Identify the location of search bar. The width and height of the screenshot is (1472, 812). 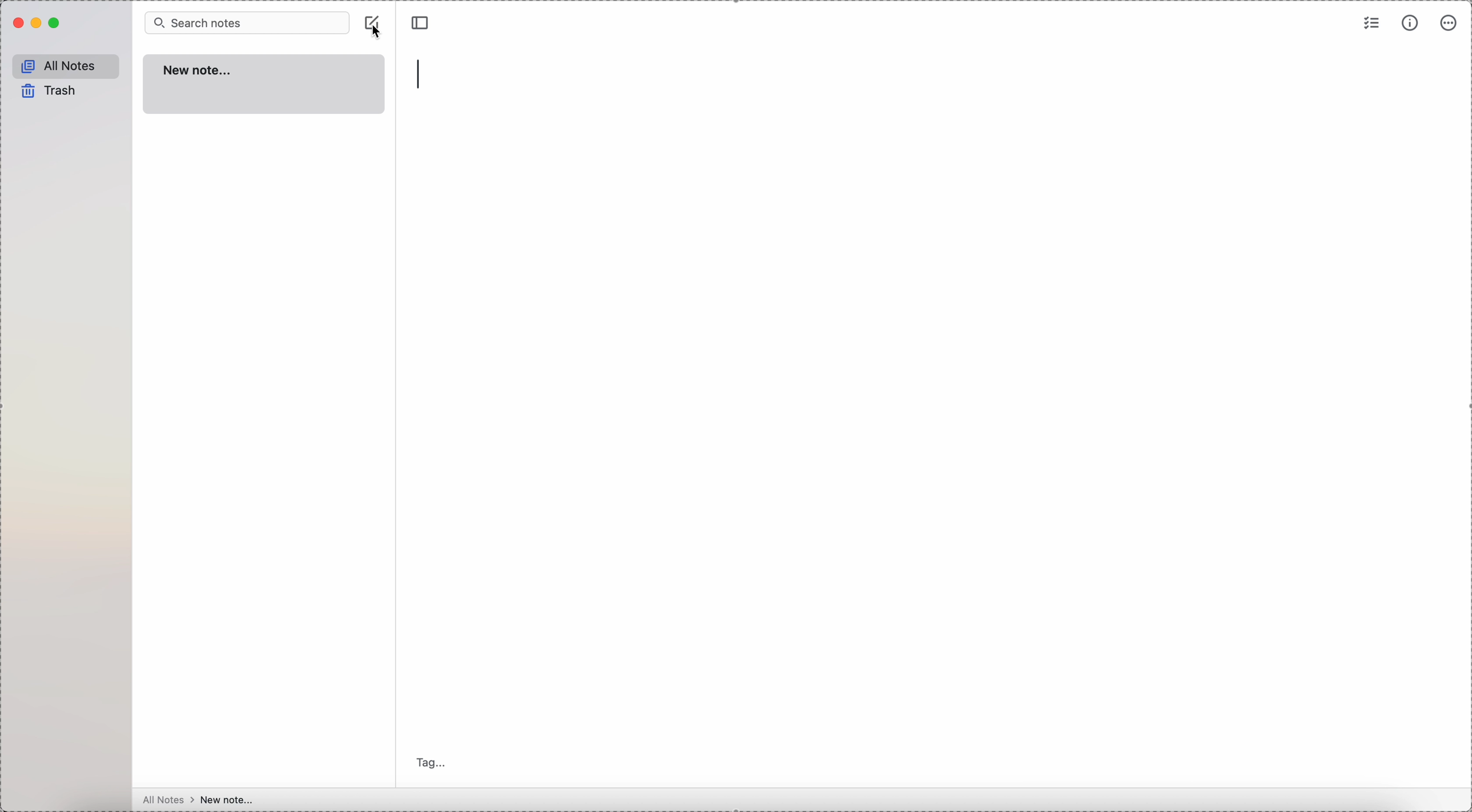
(246, 23).